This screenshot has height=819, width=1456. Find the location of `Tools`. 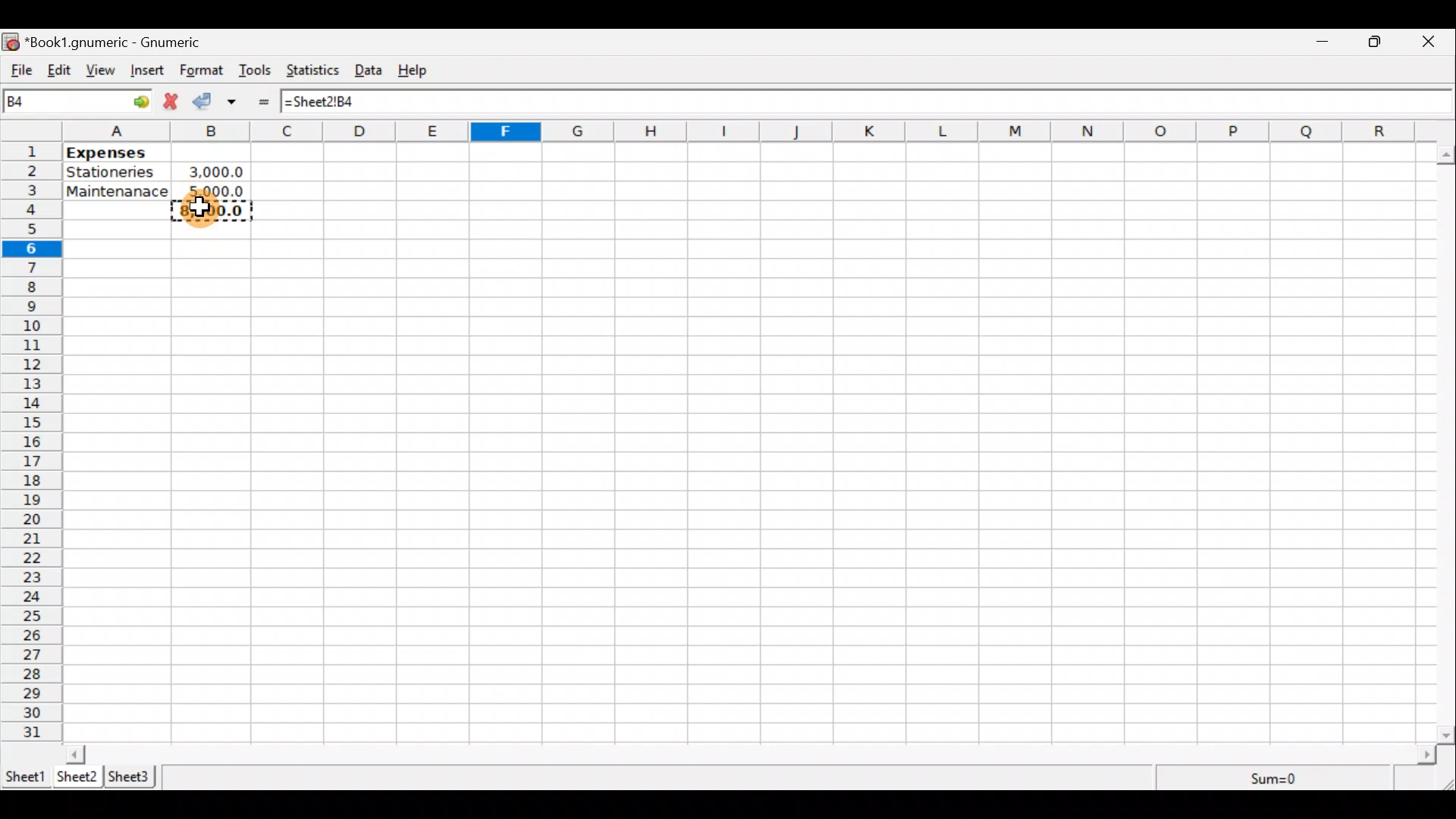

Tools is located at coordinates (256, 71).